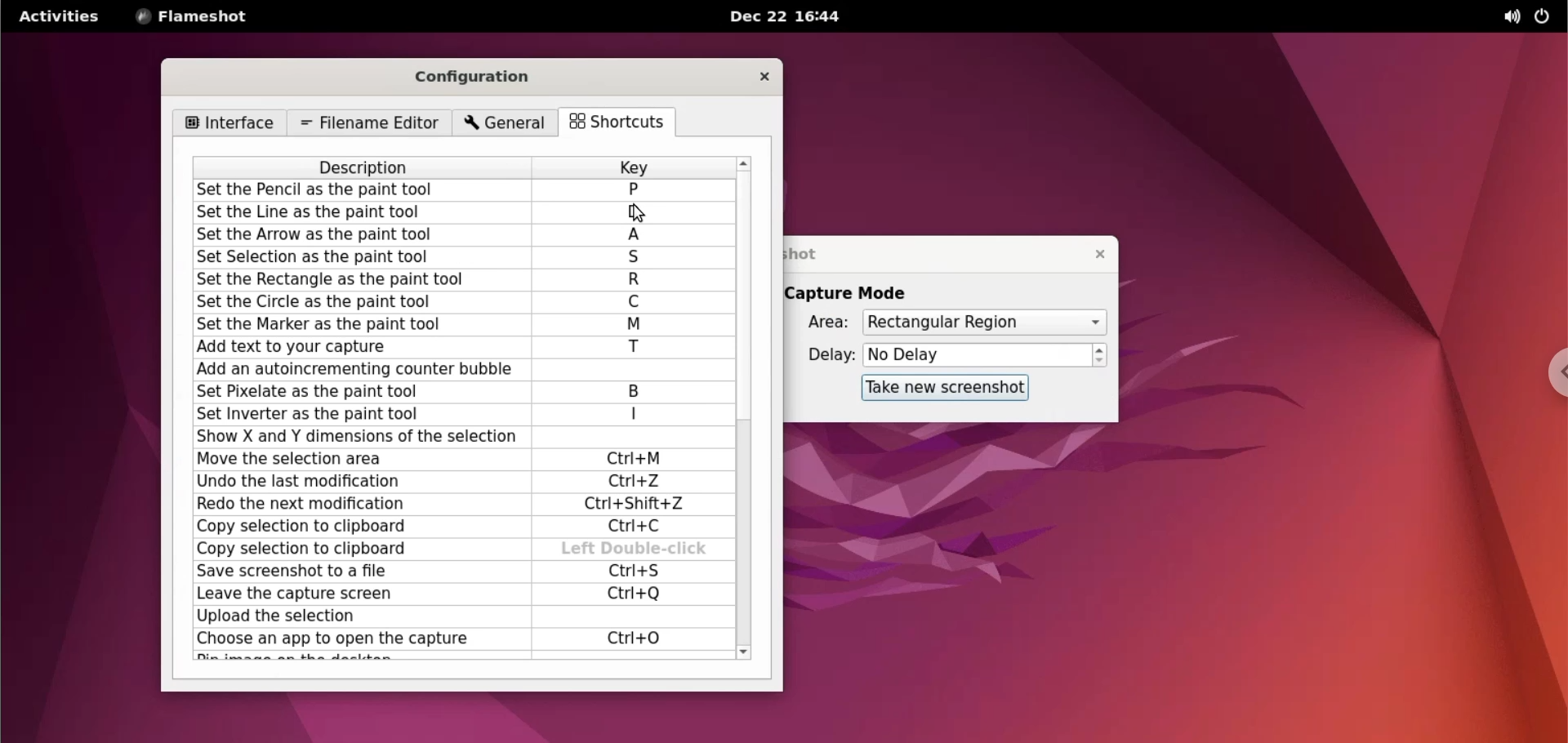  I want to click on description , so click(366, 167).